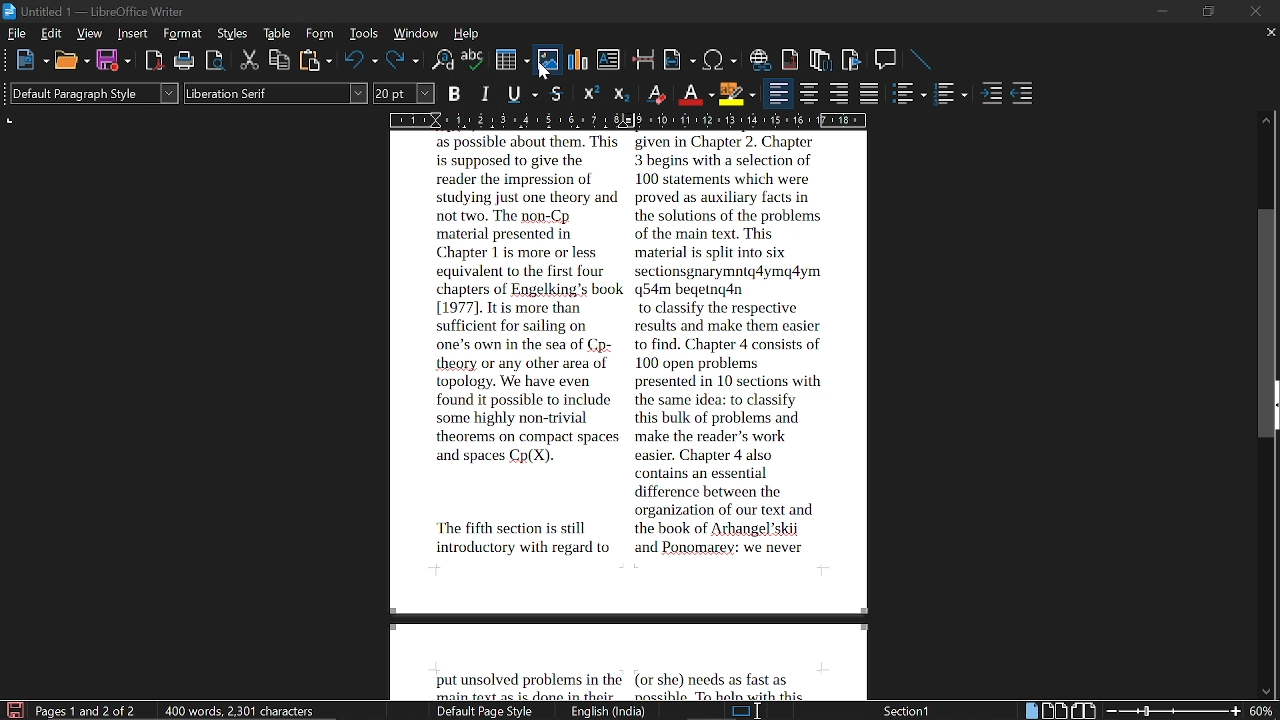 The height and width of the screenshot is (720, 1280). I want to click on style, so click(234, 33).